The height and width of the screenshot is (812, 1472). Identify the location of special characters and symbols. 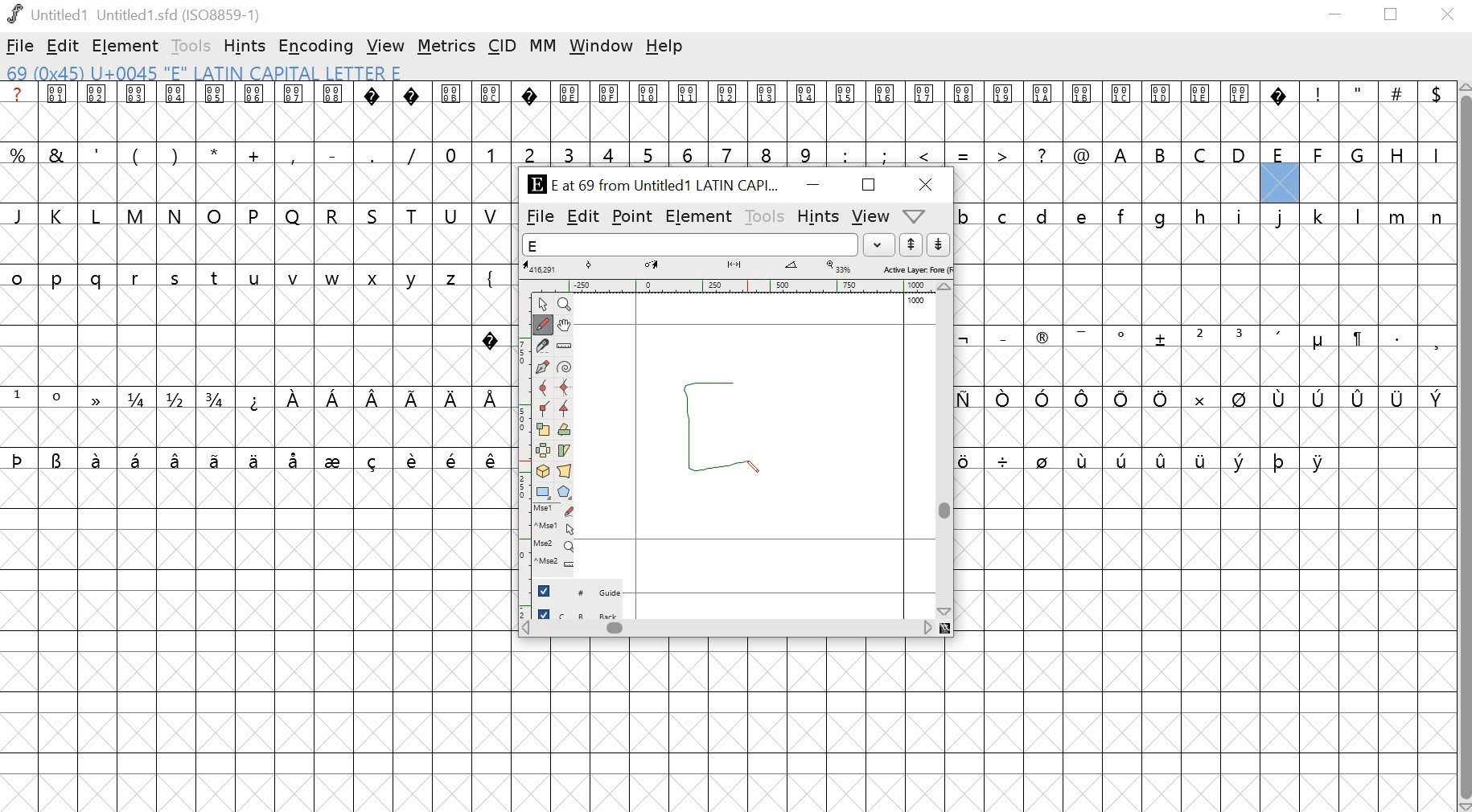
(727, 95).